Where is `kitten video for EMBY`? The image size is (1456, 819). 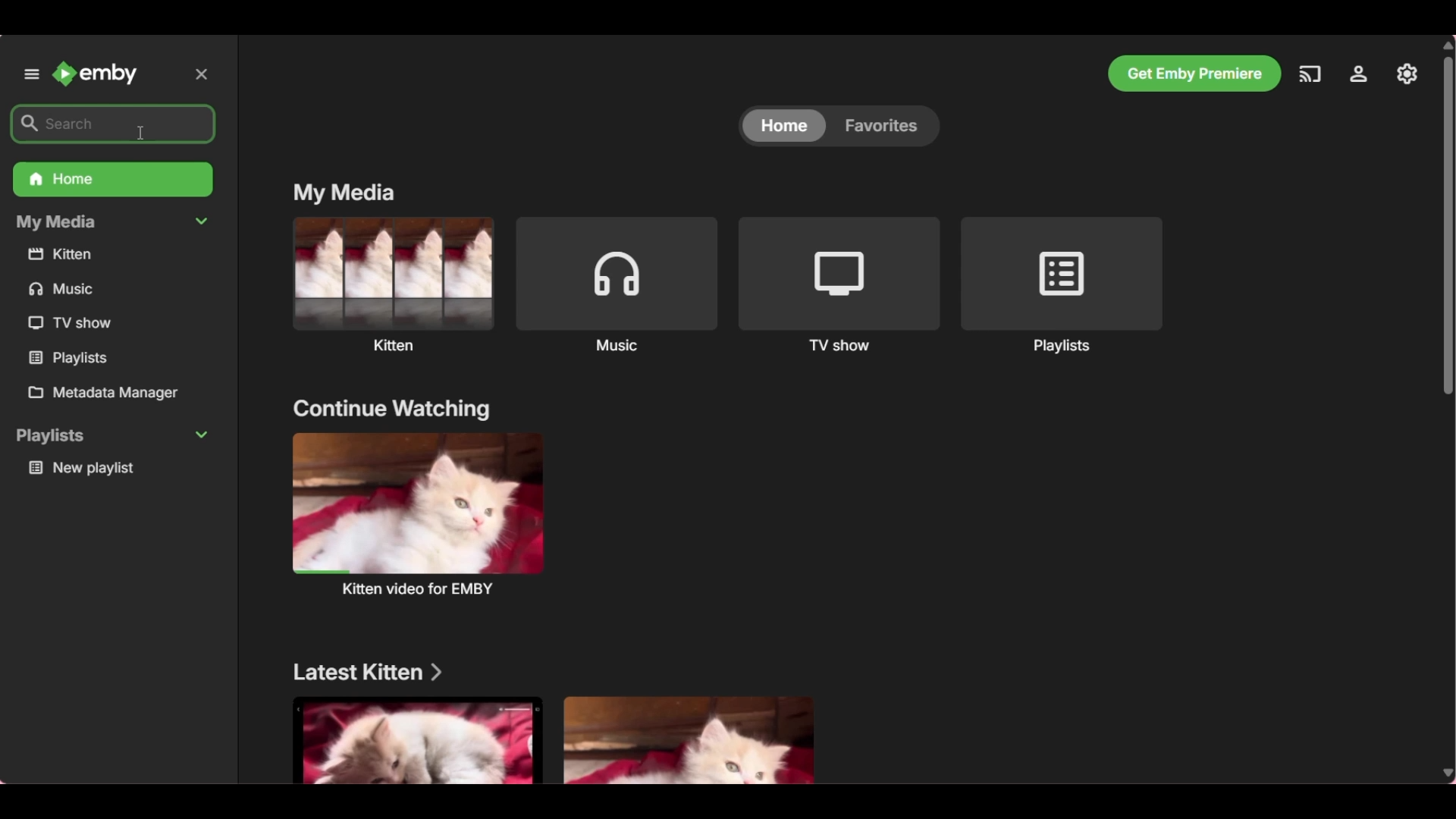
kitten video for EMBY is located at coordinates (417, 513).